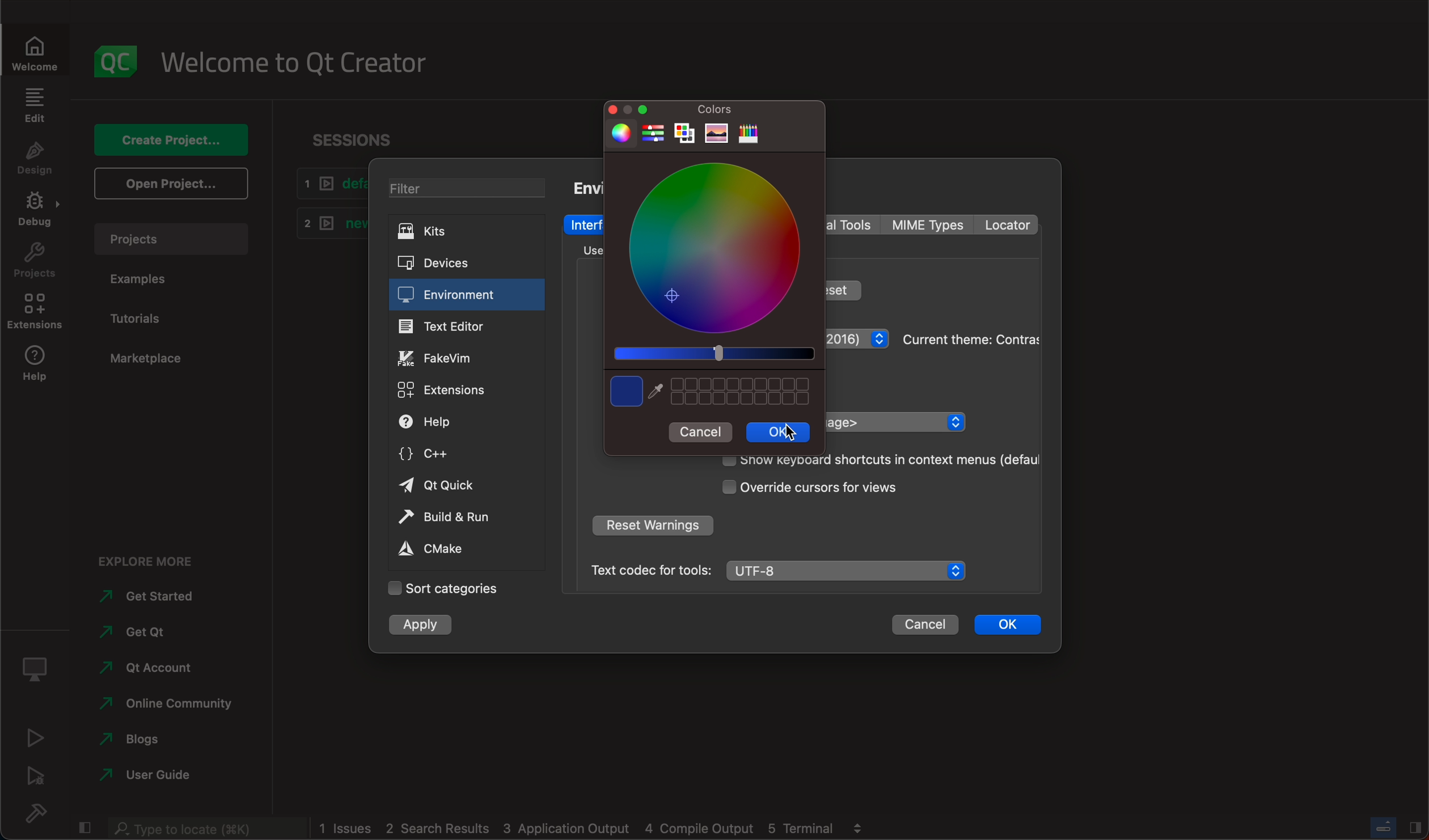 The width and height of the screenshot is (1429, 840). Describe the element at coordinates (145, 667) in the screenshot. I see `qt` at that location.